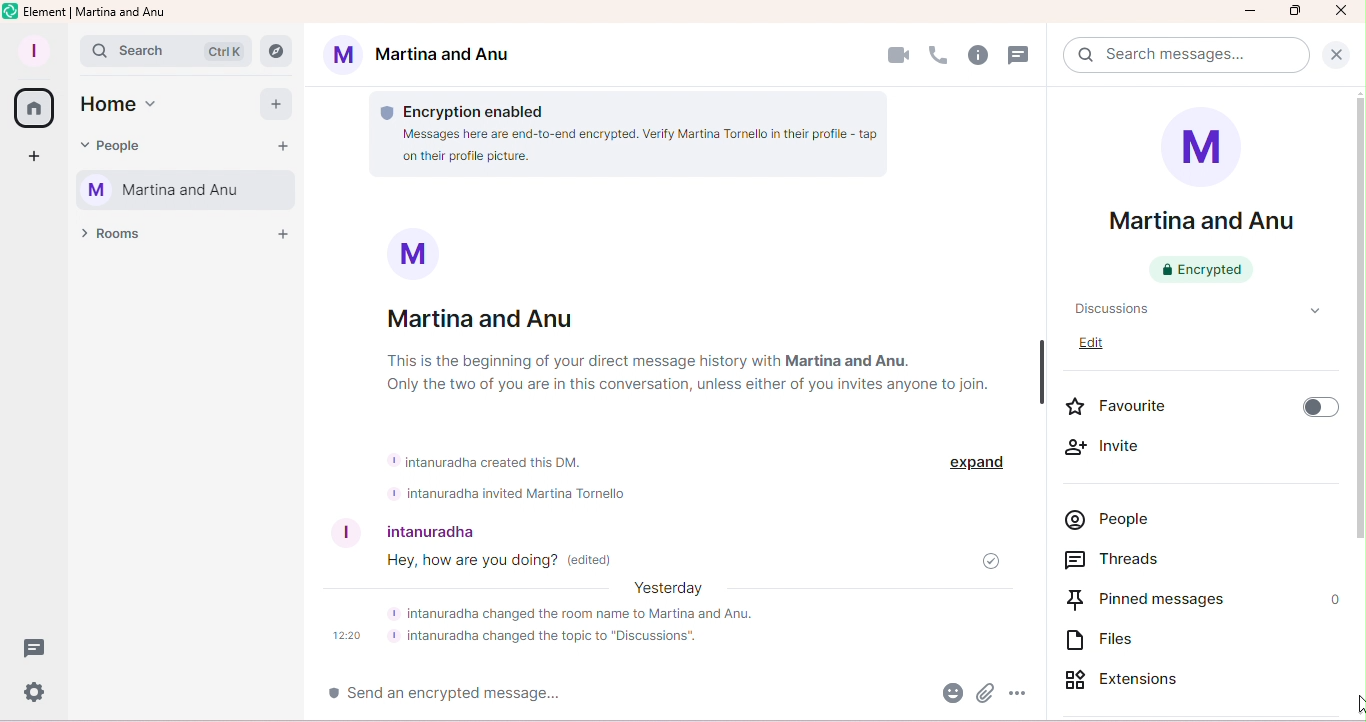  I want to click on Create a space, so click(38, 160).